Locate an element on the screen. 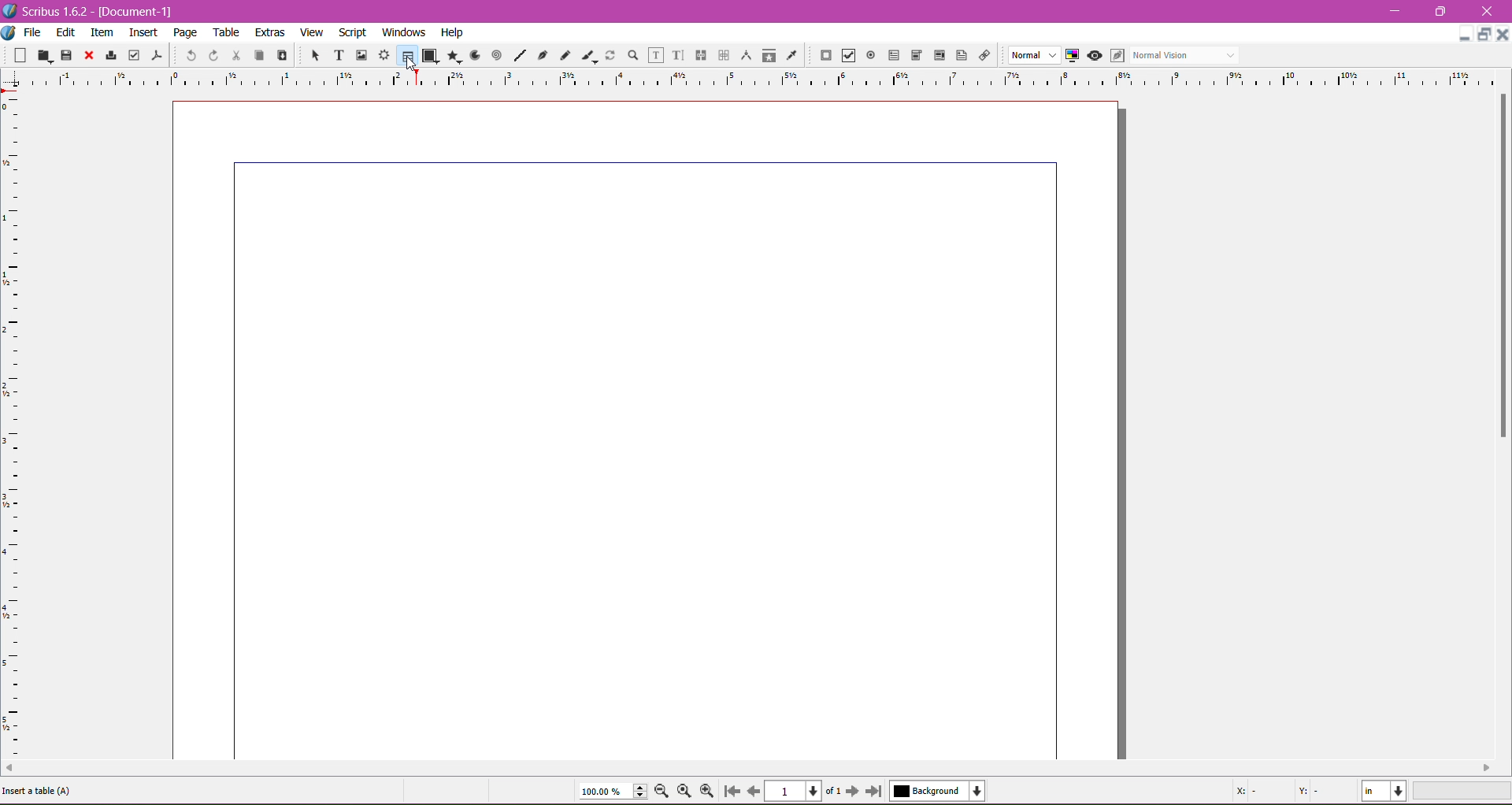 The height and width of the screenshot is (805, 1512). Insert is located at coordinates (143, 30).